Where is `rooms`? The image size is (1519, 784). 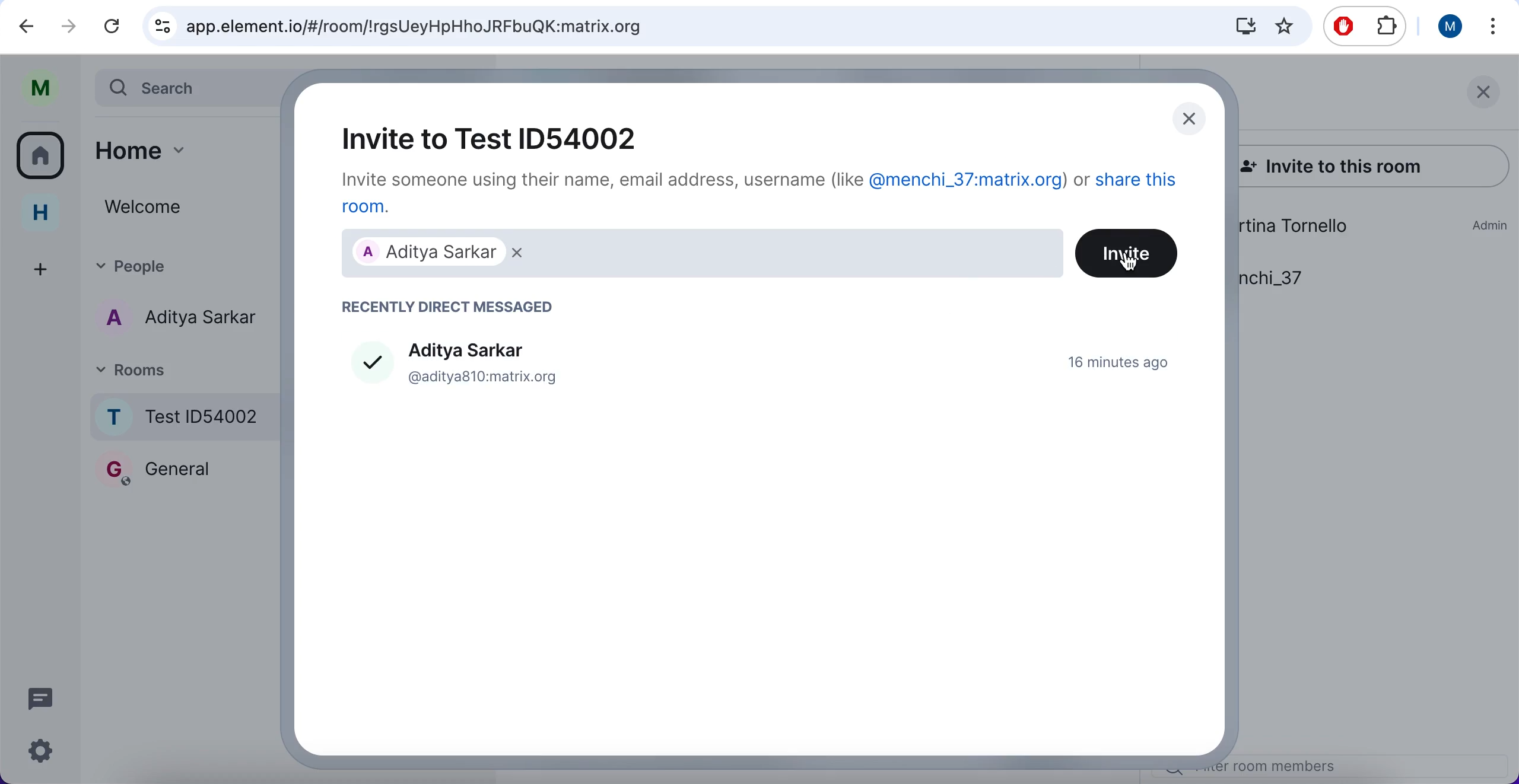
rooms is located at coordinates (182, 367).